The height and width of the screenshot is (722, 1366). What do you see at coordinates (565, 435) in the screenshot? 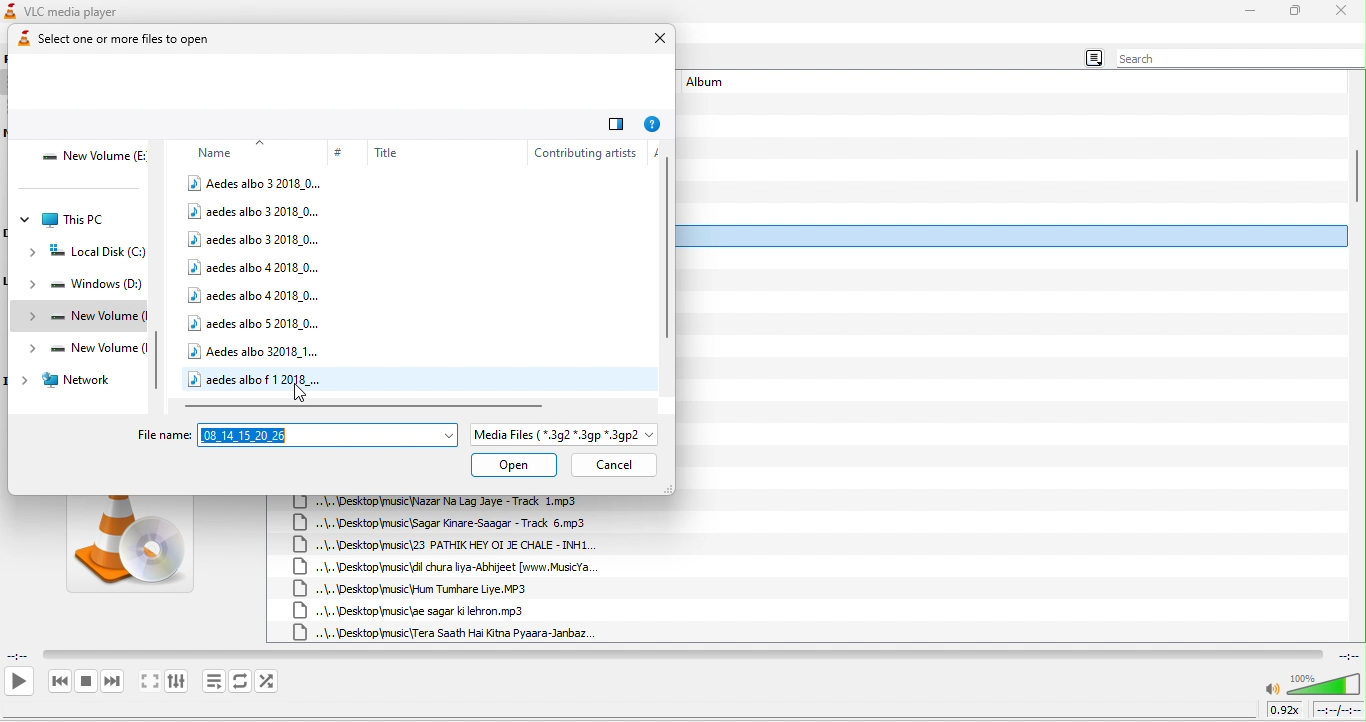
I see `Media Files ( *.3g2 *.3gp *.3gp2` at bounding box center [565, 435].